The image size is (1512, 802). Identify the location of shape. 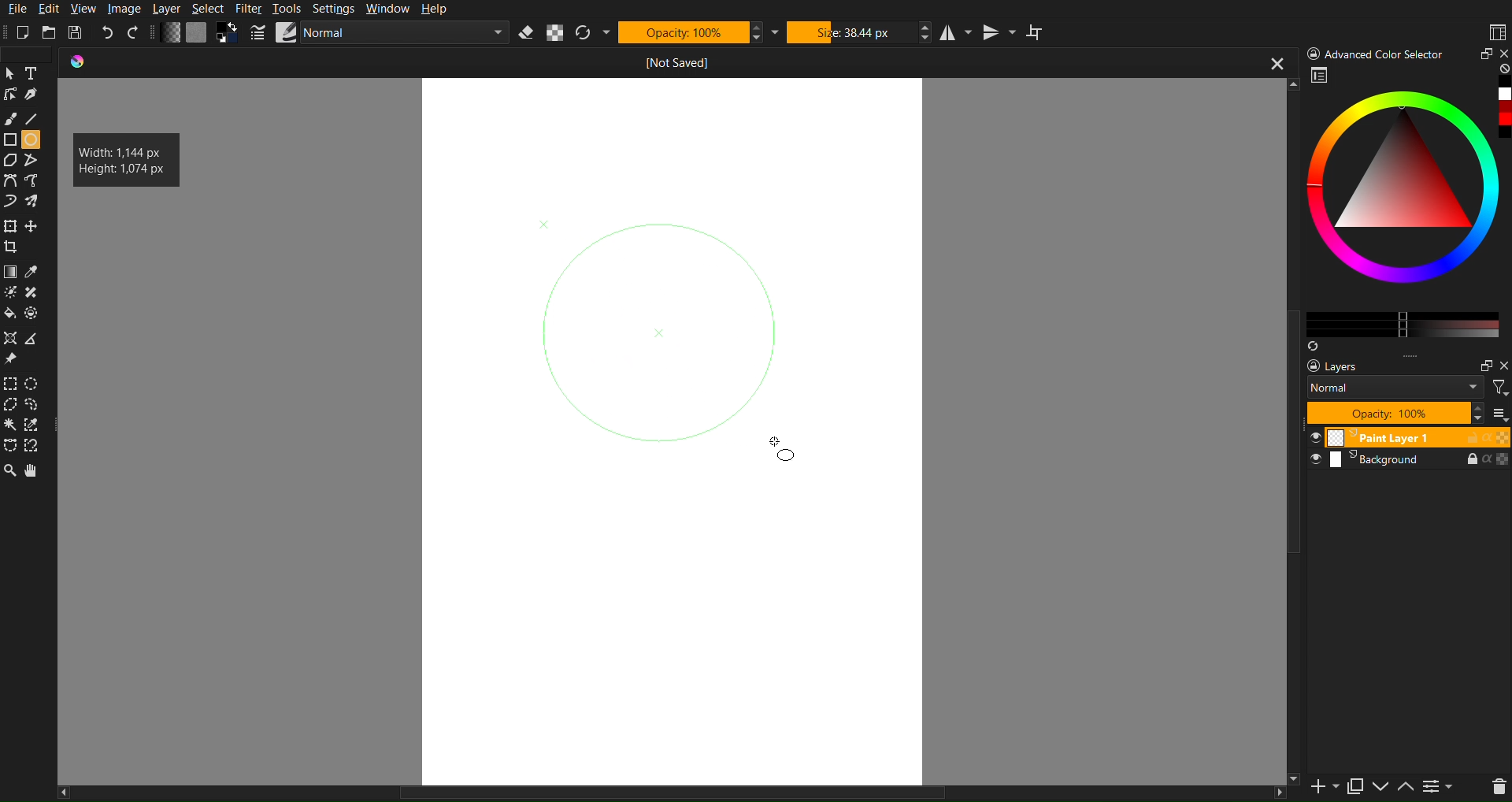
(35, 293).